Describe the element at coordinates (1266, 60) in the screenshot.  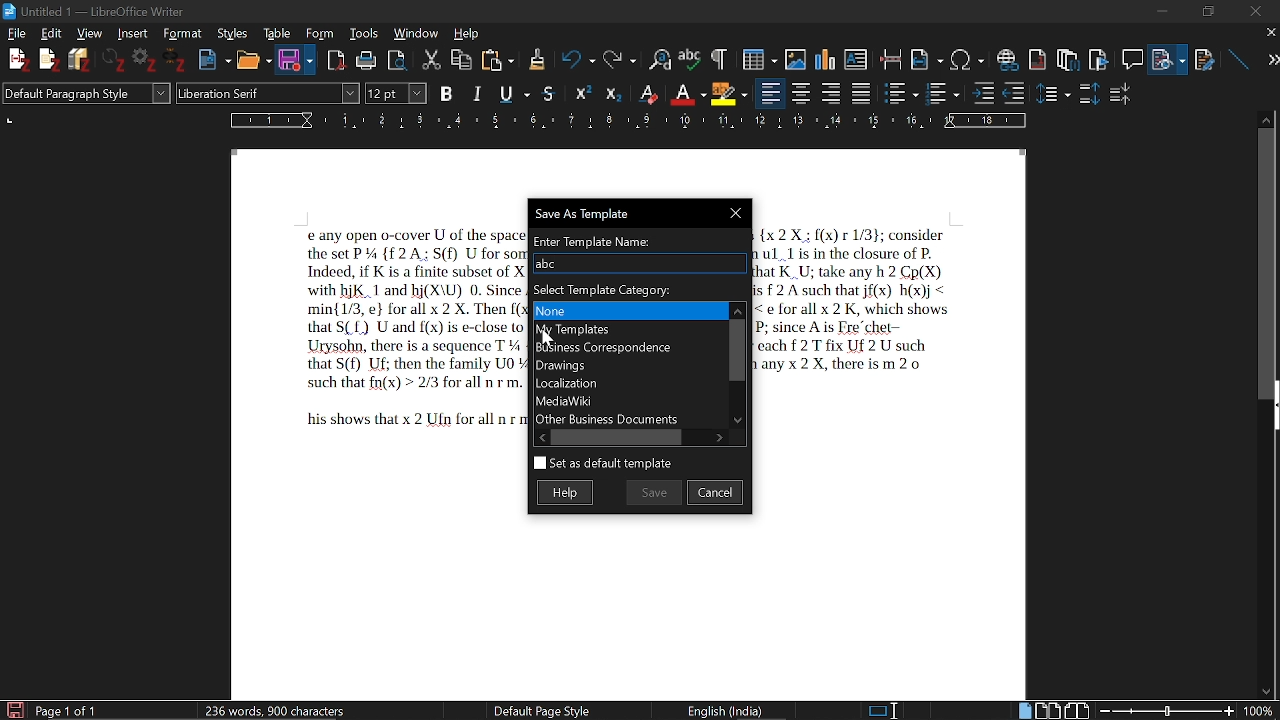
I see `next` at that location.